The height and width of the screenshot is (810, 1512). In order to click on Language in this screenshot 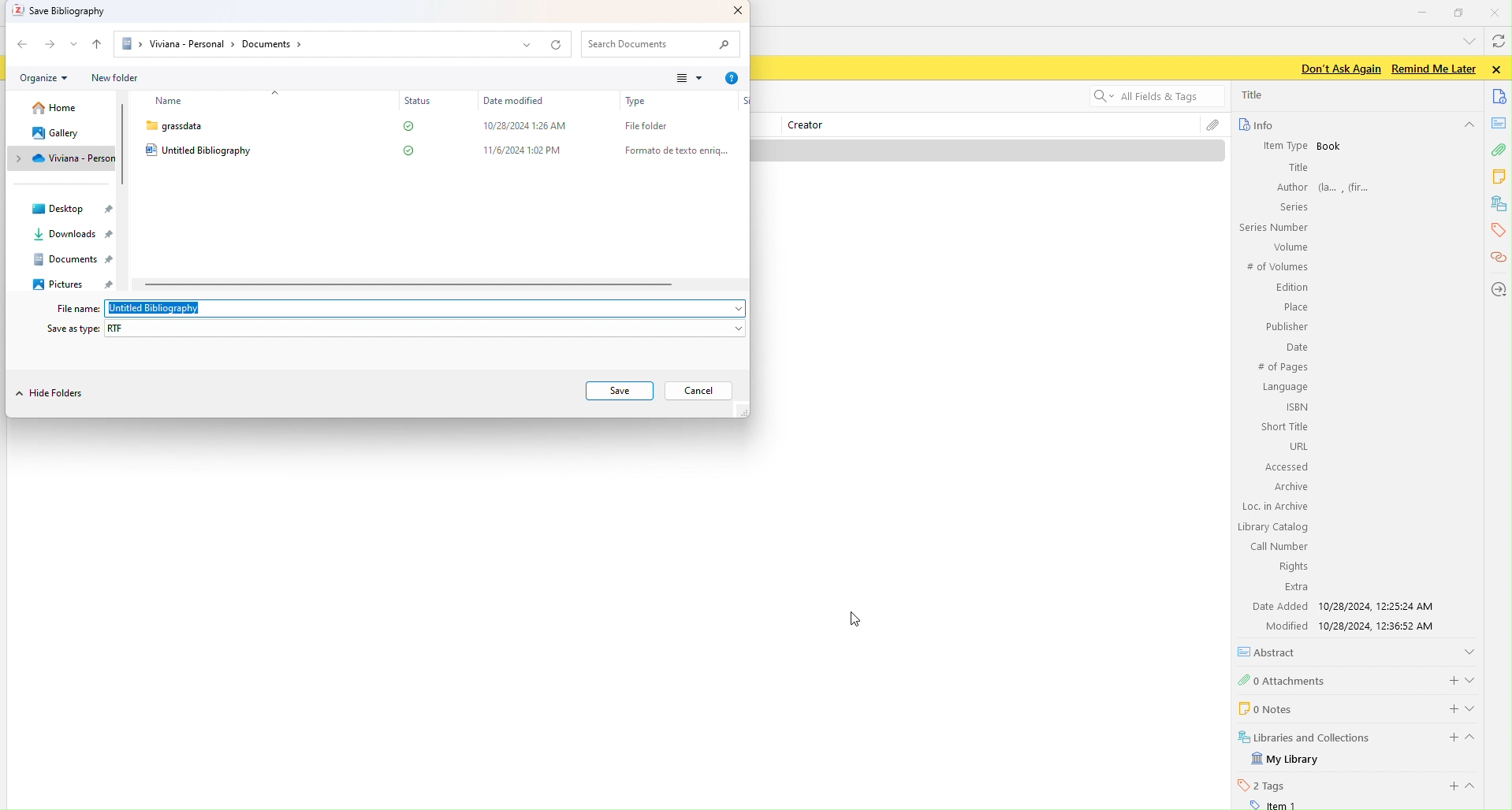, I will do `click(1285, 388)`.